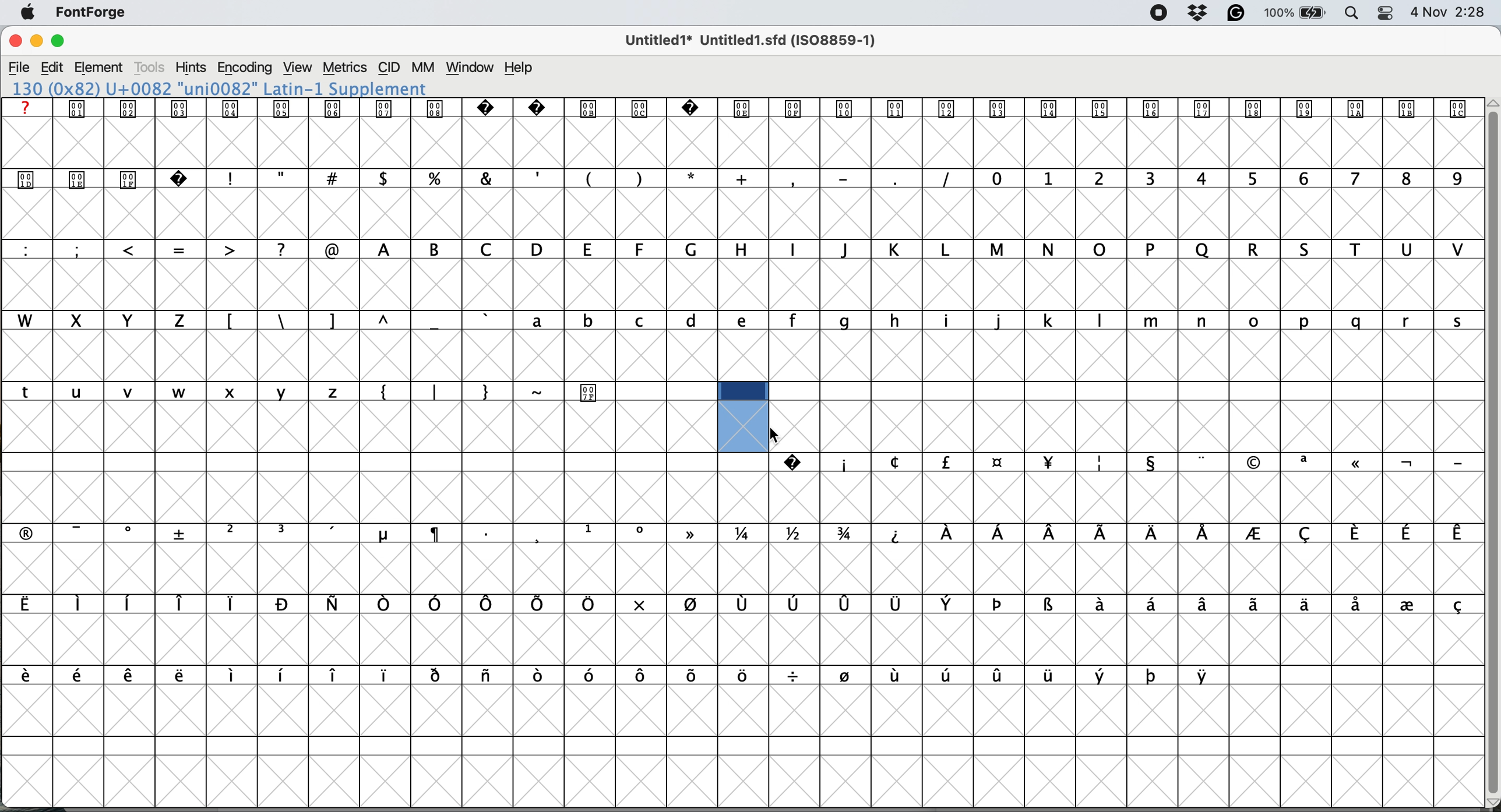  What do you see at coordinates (744, 111) in the screenshot?
I see `symbol glyph` at bounding box center [744, 111].